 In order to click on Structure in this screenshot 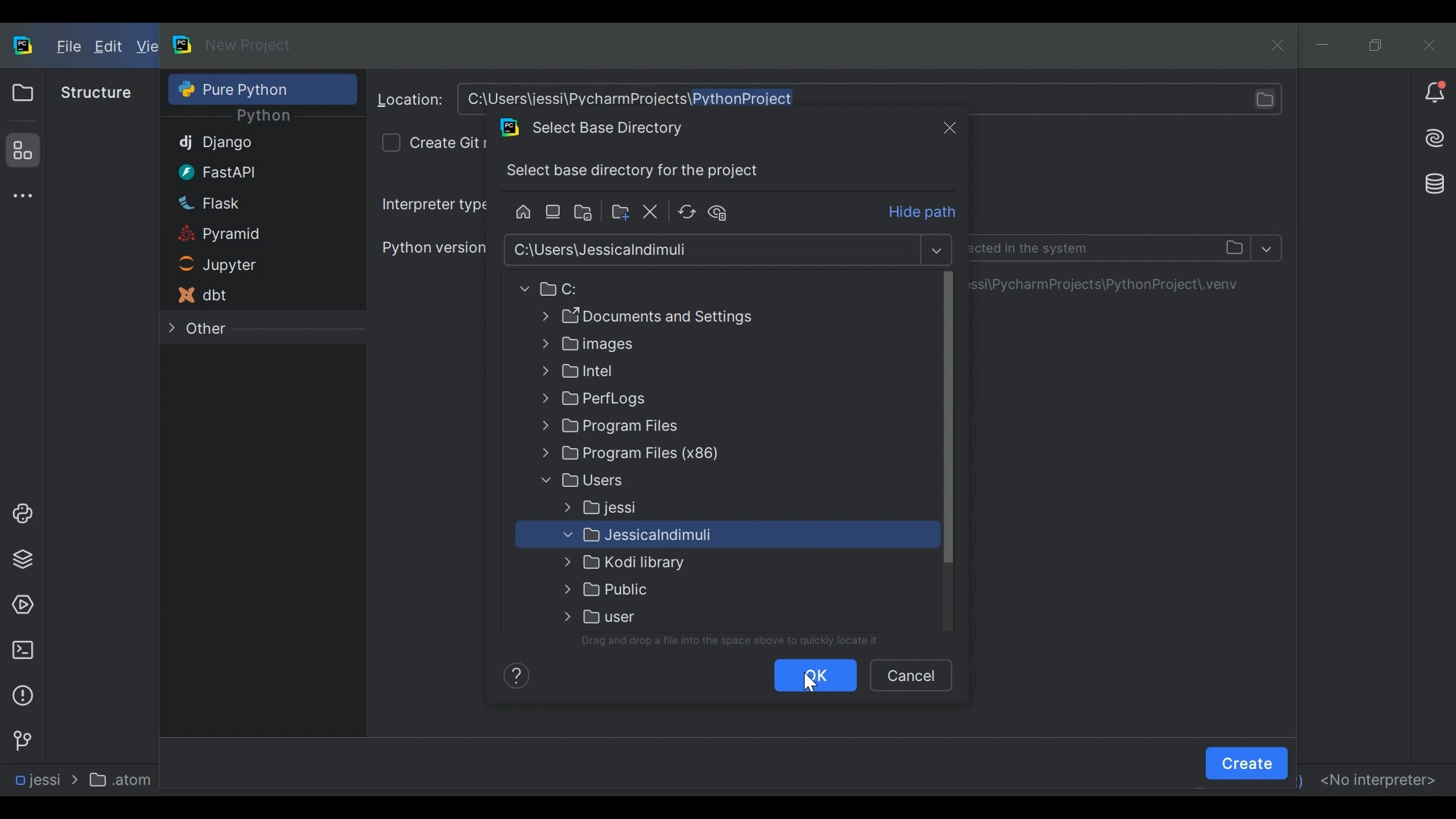, I will do `click(20, 150)`.